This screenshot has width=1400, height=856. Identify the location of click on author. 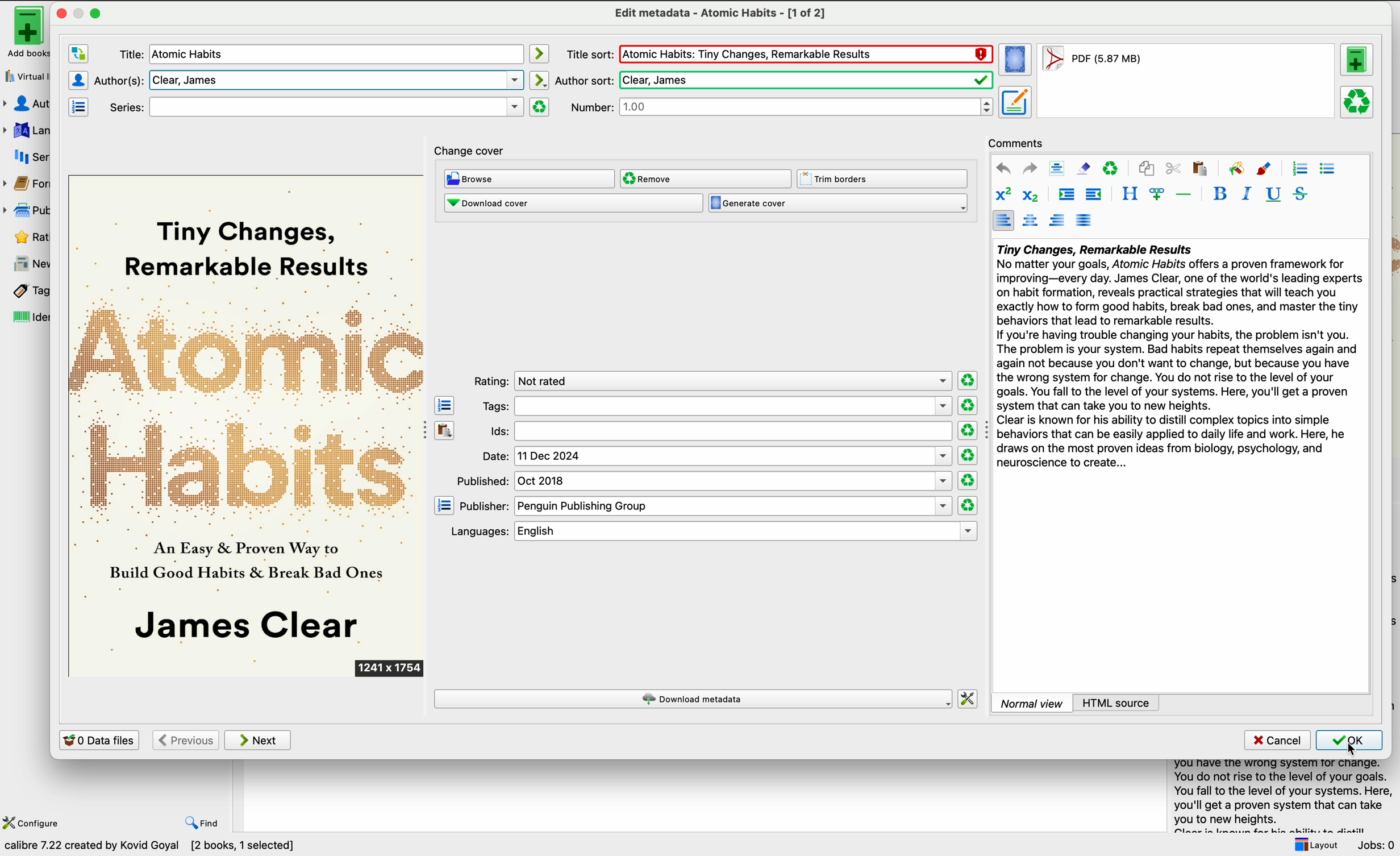
(128, 54).